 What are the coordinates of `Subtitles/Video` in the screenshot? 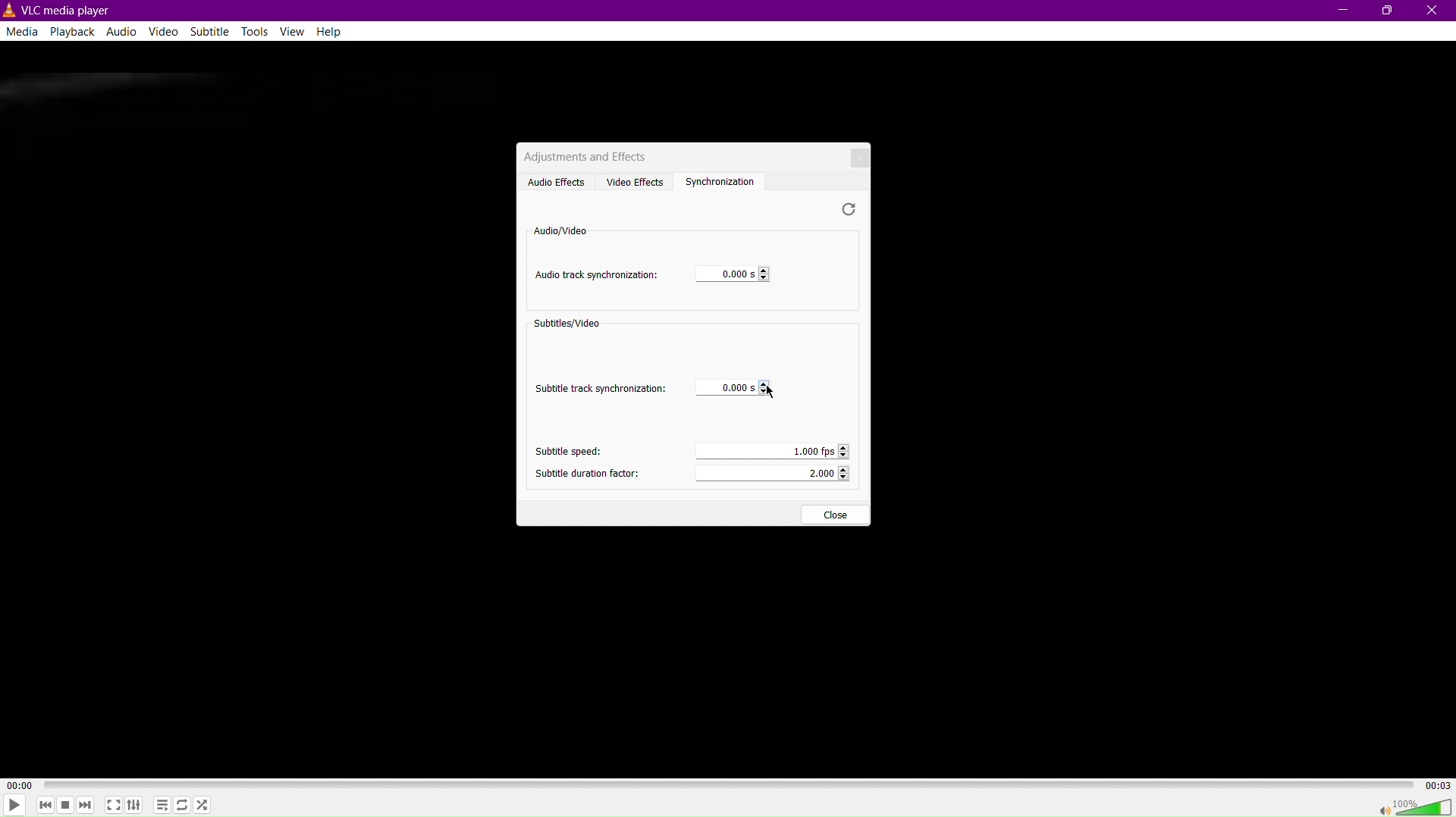 It's located at (570, 326).